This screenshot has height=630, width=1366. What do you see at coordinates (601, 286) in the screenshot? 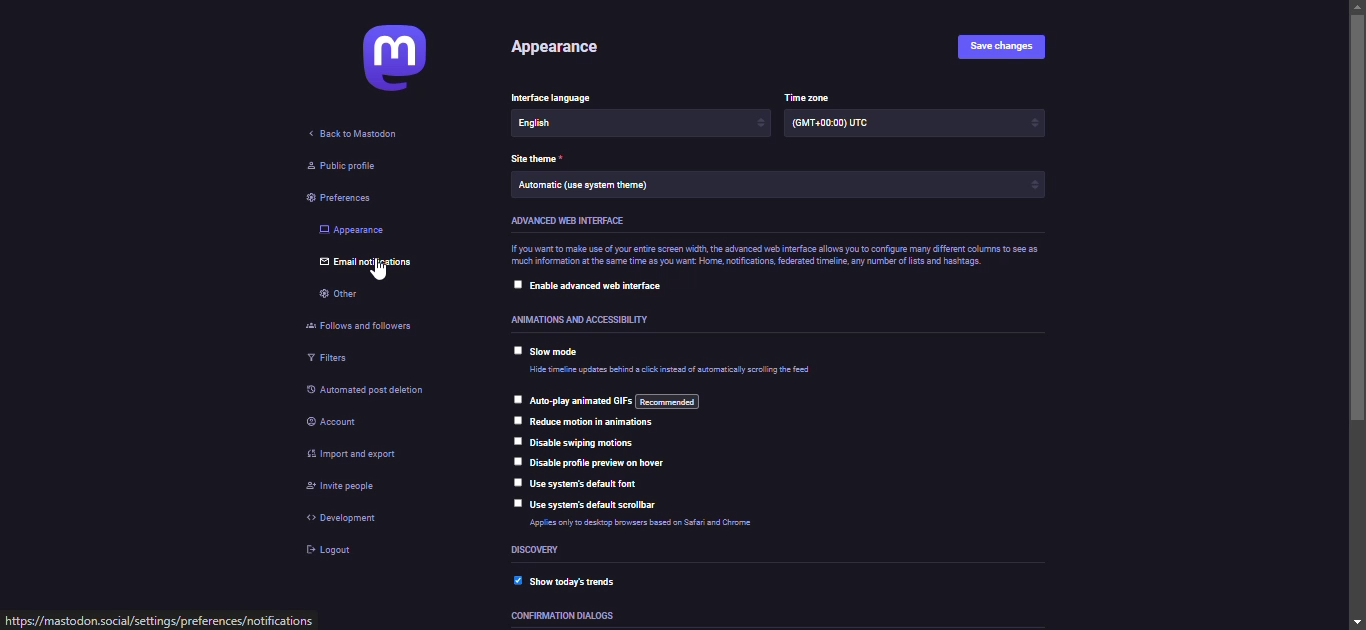
I see `enable advanced web interface` at bounding box center [601, 286].